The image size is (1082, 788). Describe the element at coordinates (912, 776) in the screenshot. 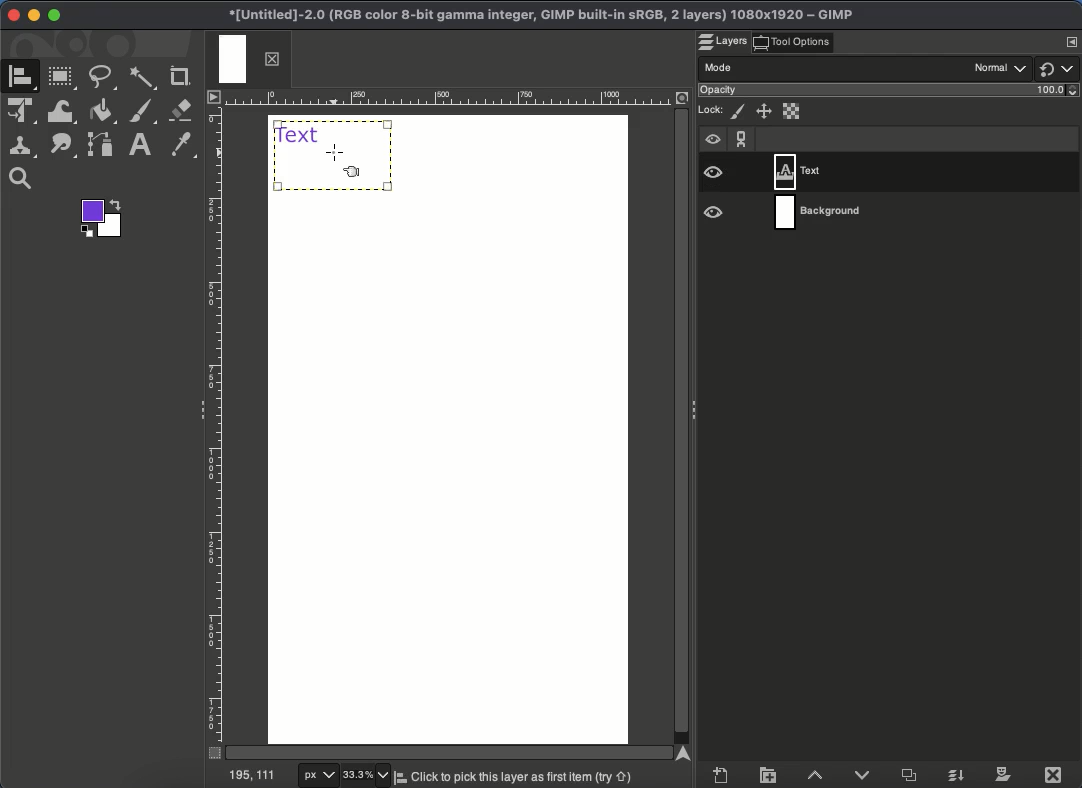

I see `Duplicate` at that location.